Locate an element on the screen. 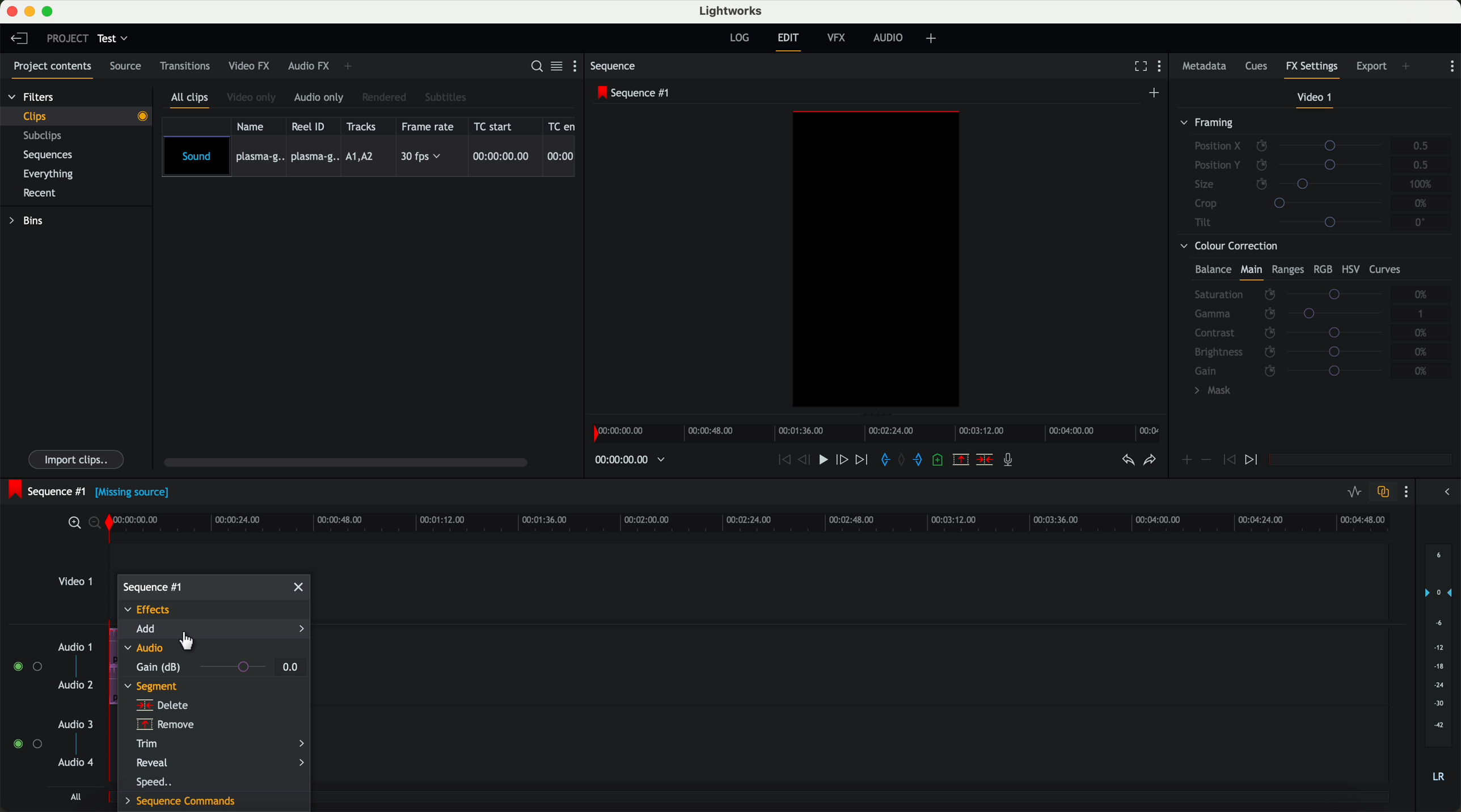 This screenshot has width=1461, height=812. video FX is located at coordinates (248, 67).